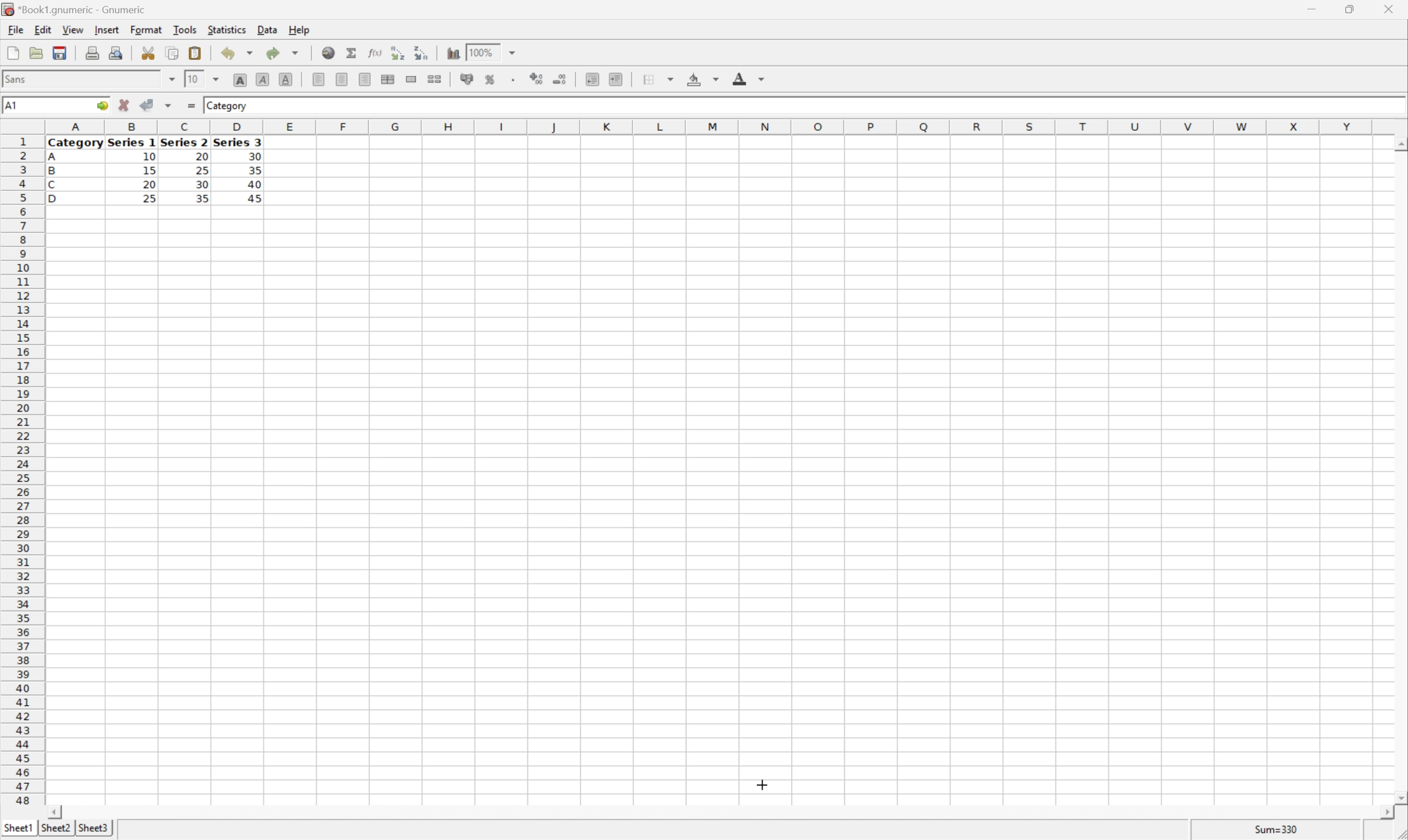 The height and width of the screenshot is (840, 1408). Describe the element at coordinates (1279, 832) in the screenshot. I see `Sum=0` at that location.